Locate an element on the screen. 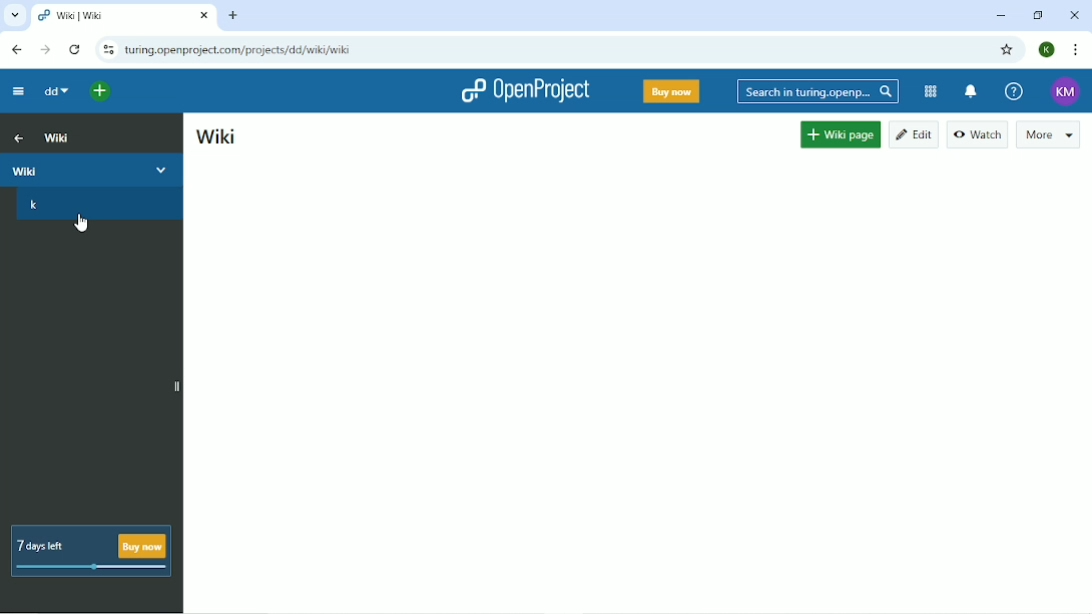 The width and height of the screenshot is (1092, 614). More is located at coordinates (1050, 135).